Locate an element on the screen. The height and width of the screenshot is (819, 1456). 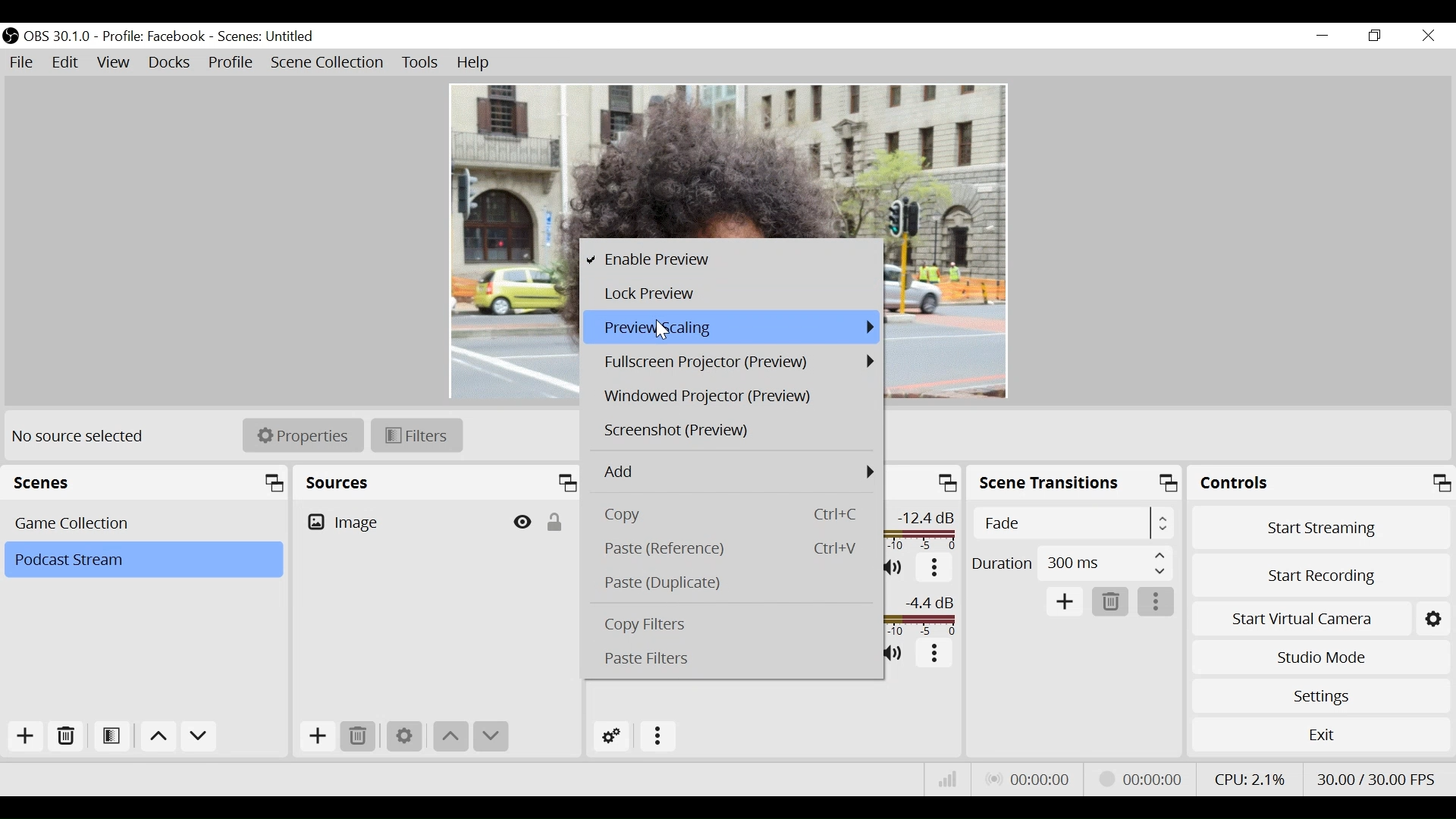
Move down is located at coordinates (489, 736).